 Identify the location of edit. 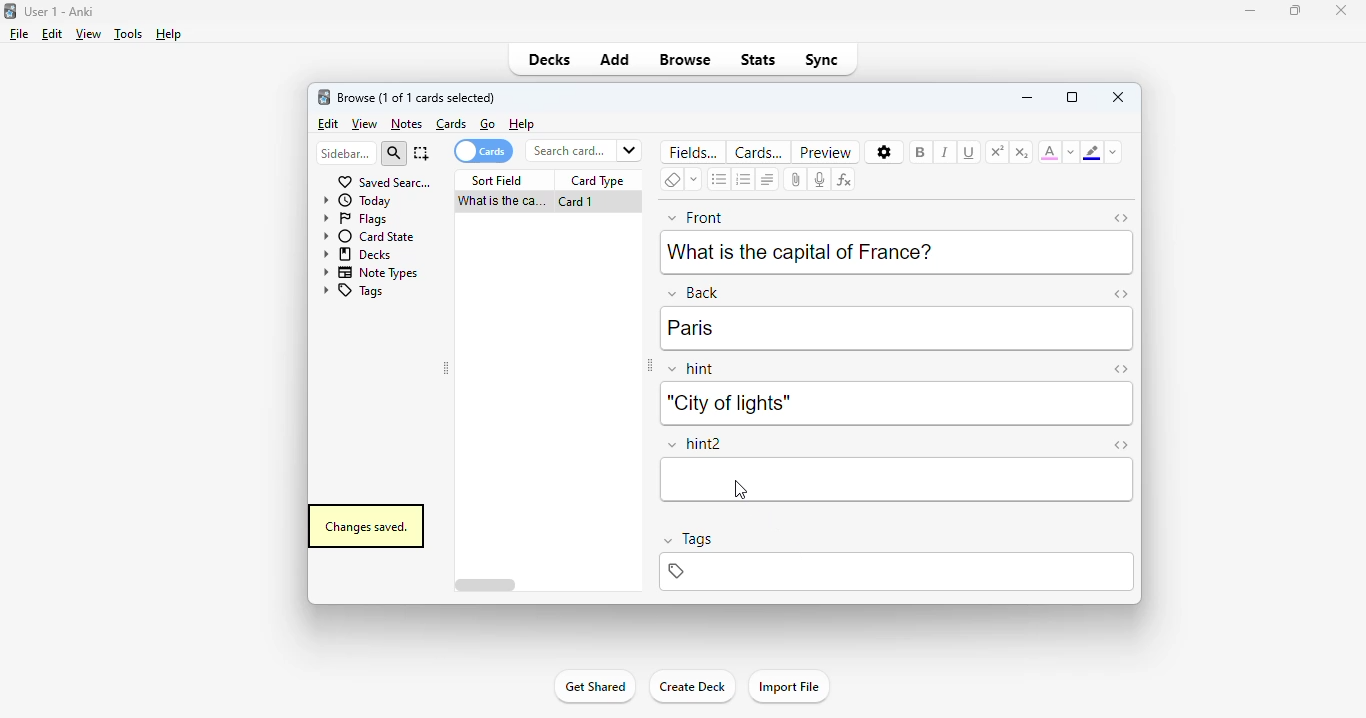
(52, 34).